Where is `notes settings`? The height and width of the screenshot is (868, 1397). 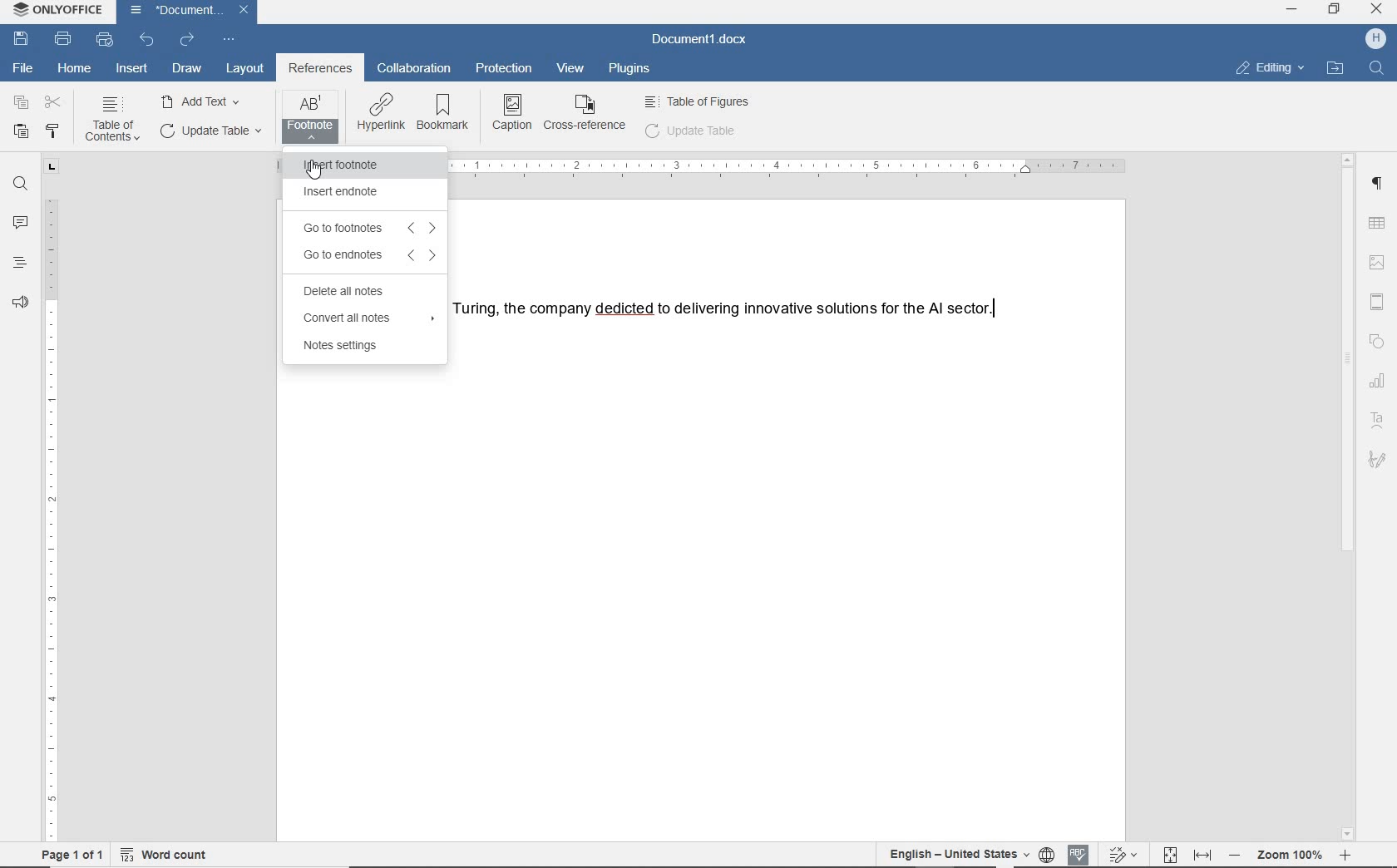
notes settings is located at coordinates (343, 348).